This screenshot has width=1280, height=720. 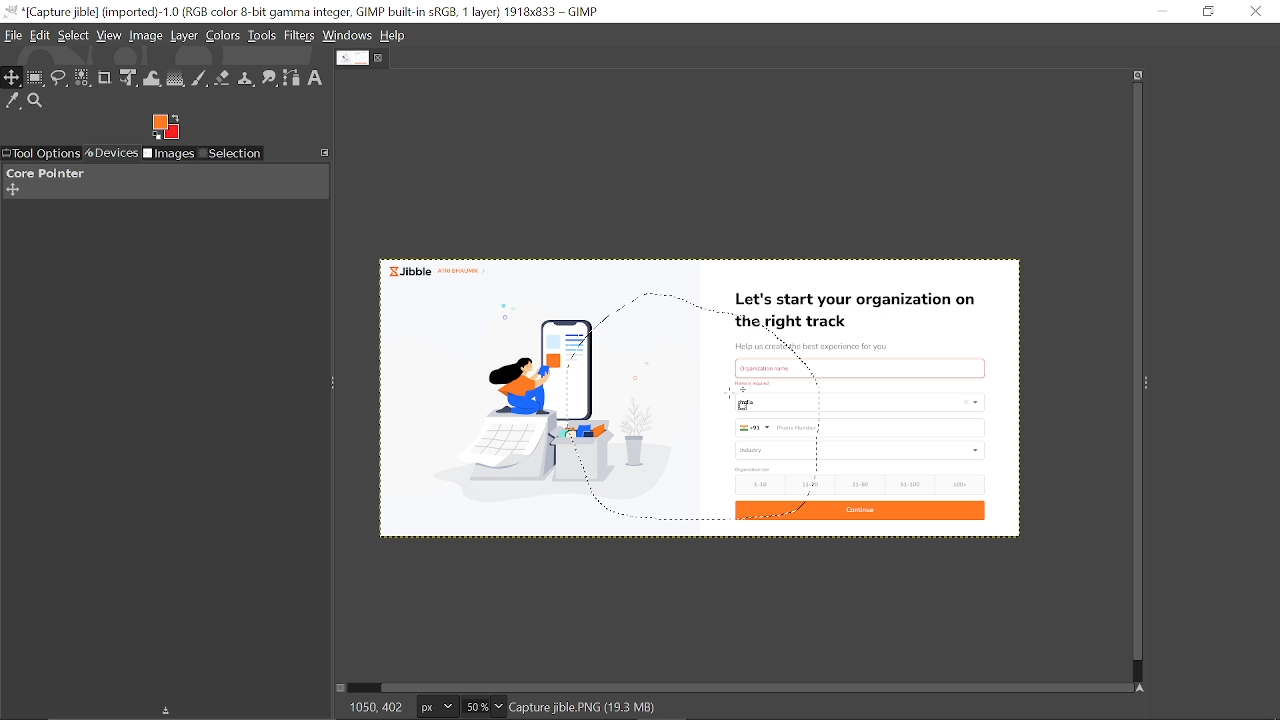 What do you see at coordinates (43, 173) in the screenshot?
I see `Core painter` at bounding box center [43, 173].